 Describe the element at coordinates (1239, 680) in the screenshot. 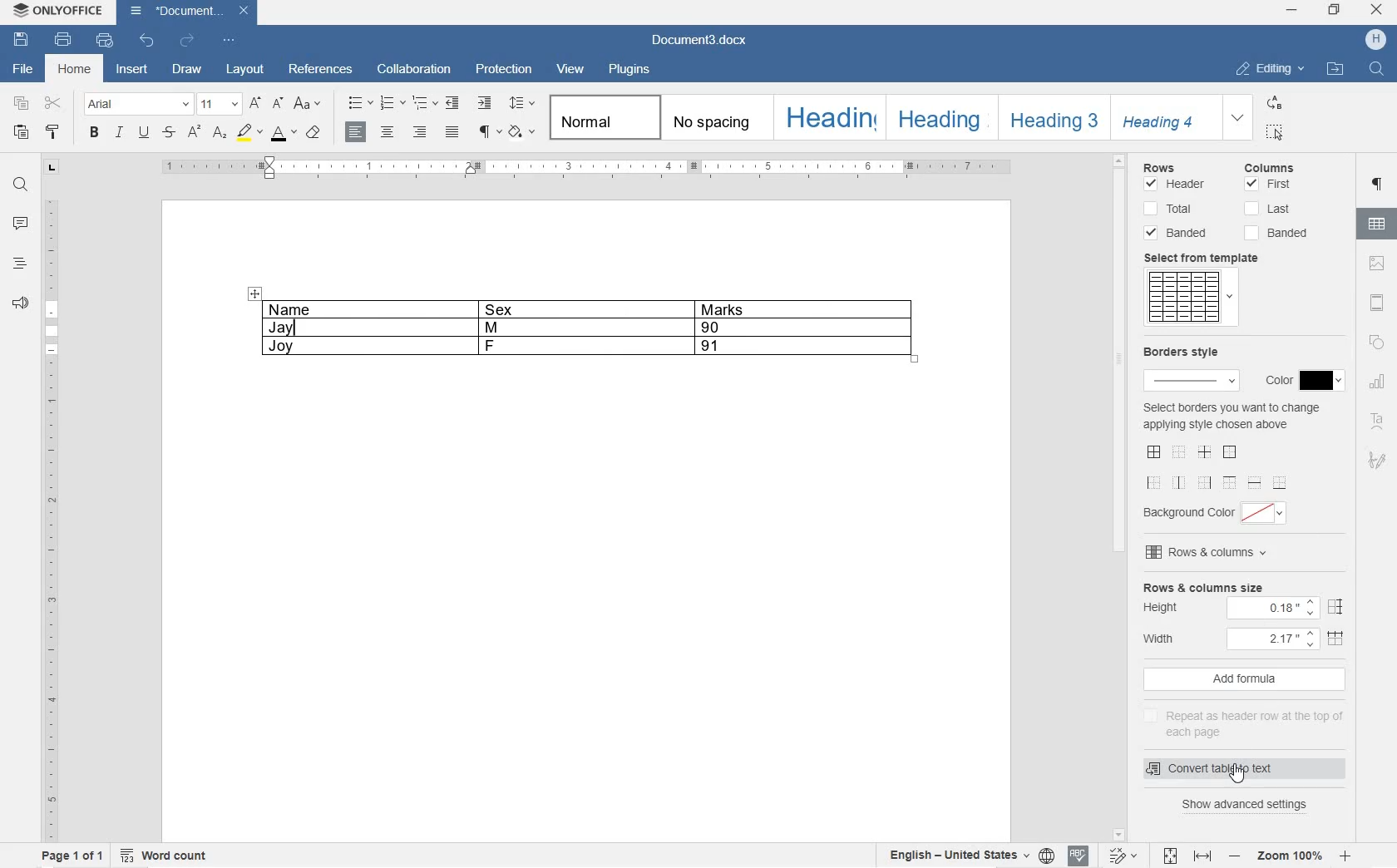

I see `add formula` at that location.